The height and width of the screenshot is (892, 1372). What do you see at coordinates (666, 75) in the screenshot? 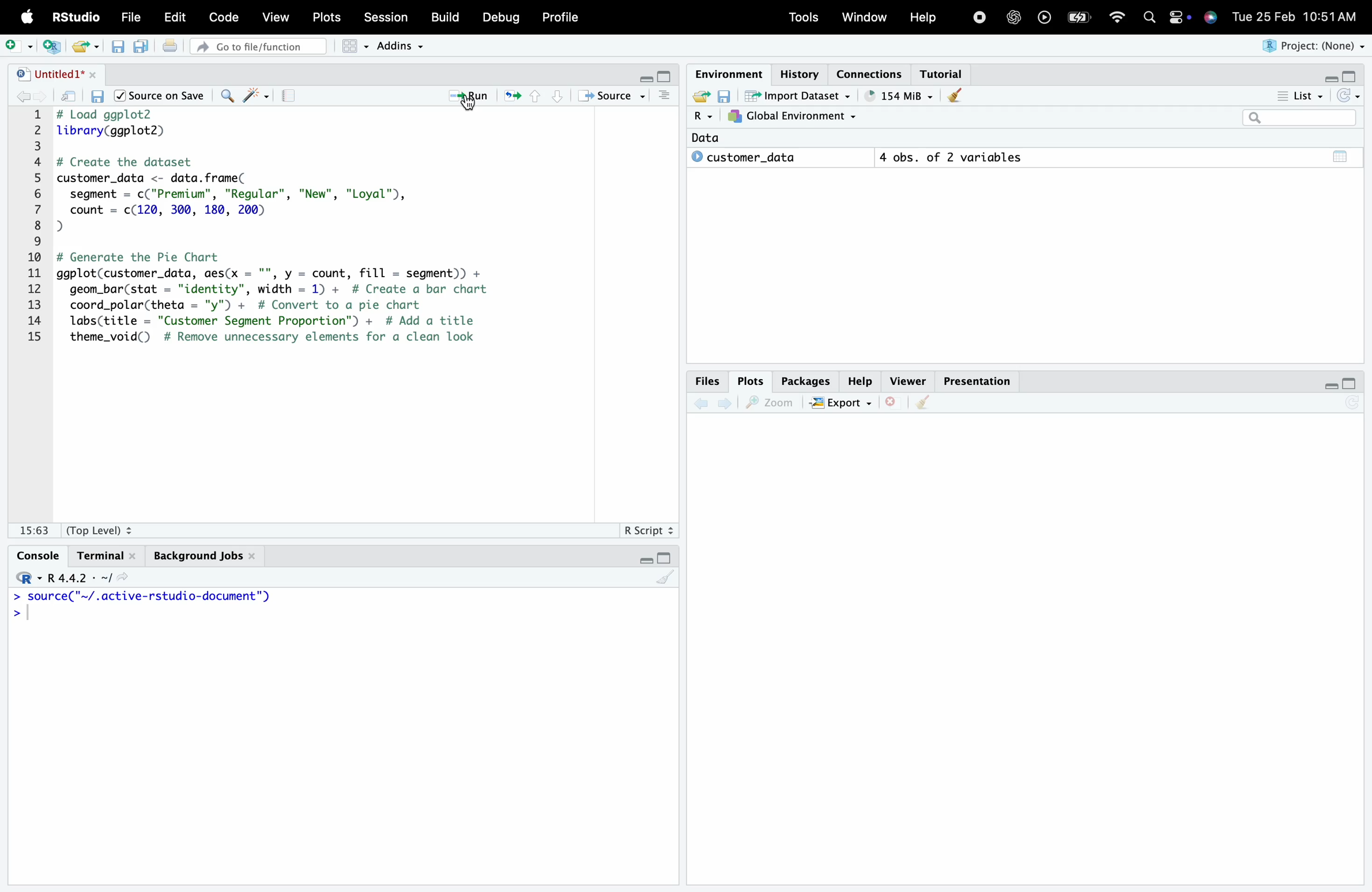
I see `maximise` at bounding box center [666, 75].